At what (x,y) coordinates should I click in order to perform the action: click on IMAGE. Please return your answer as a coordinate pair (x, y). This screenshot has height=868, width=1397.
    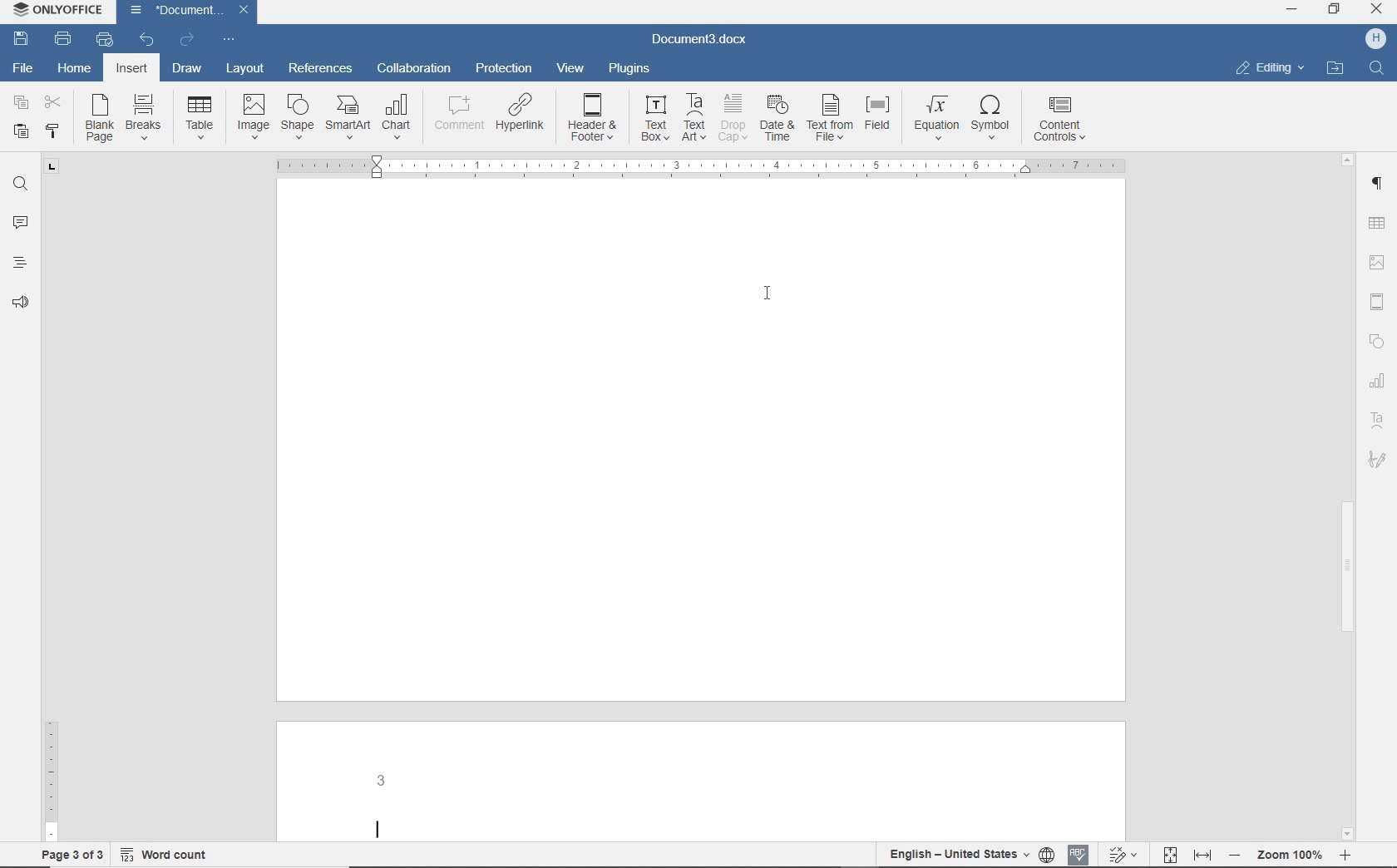
    Looking at the image, I should click on (1379, 264).